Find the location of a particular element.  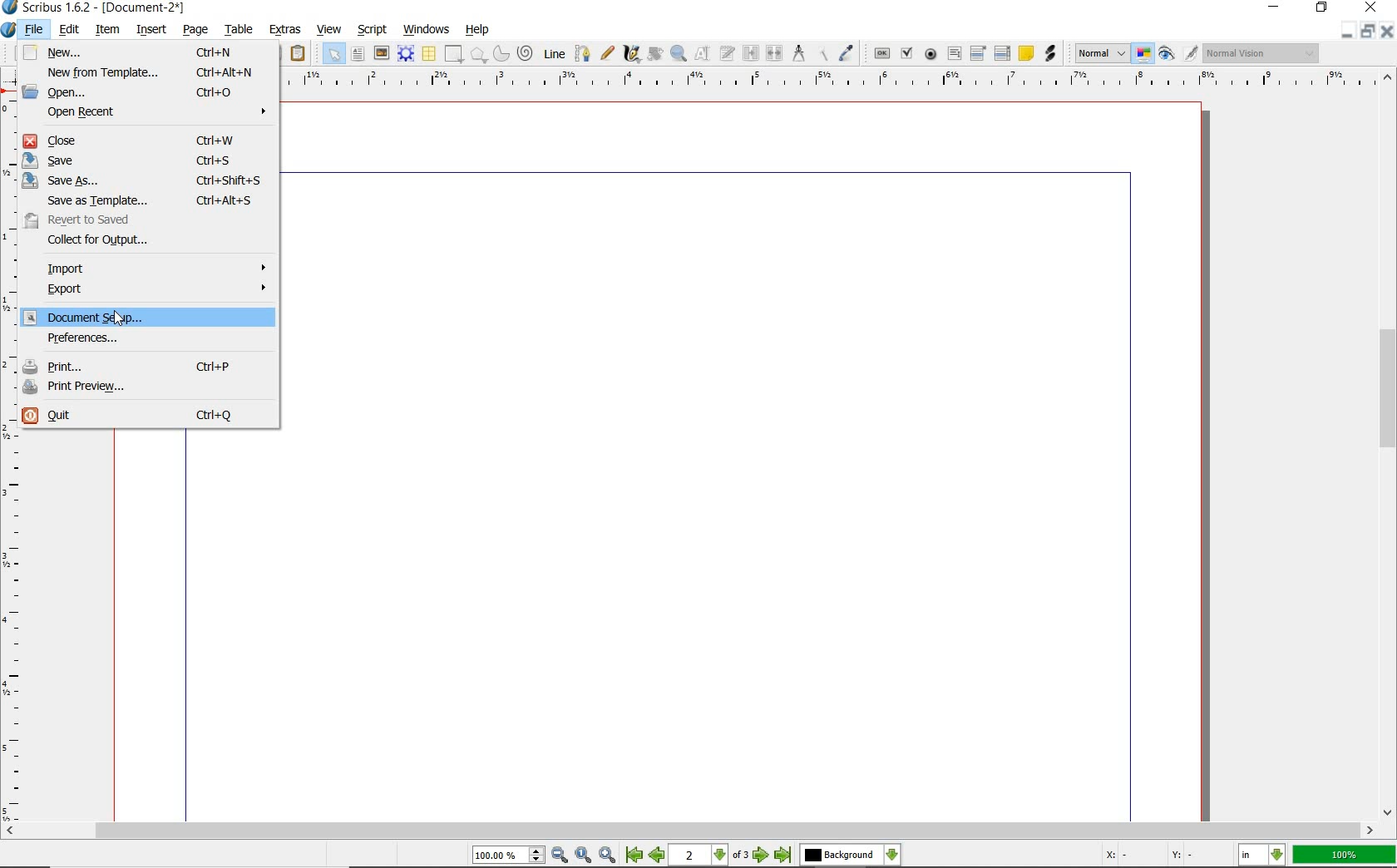

Next Page is located at coordinates (762, 856).